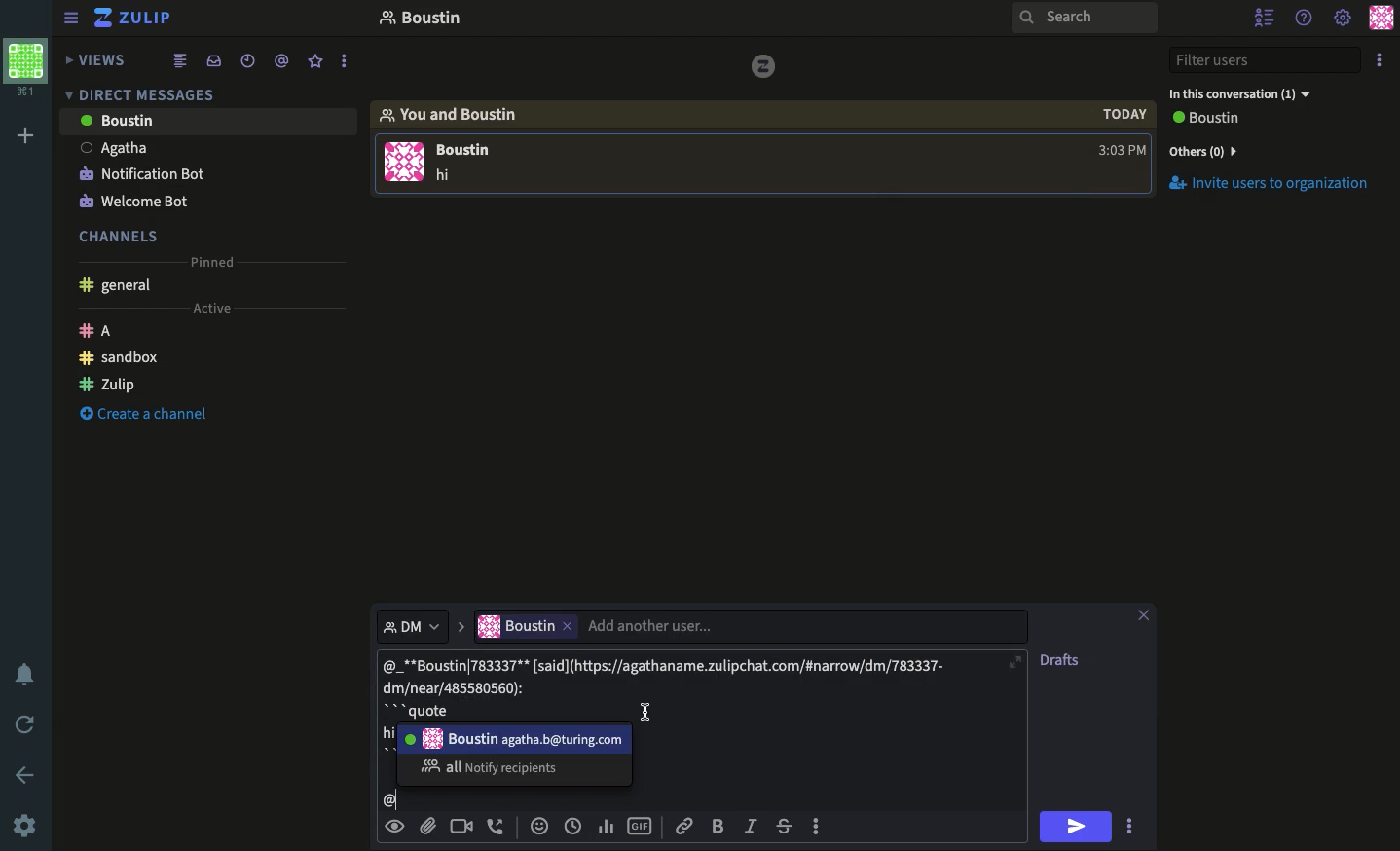  Describe the element at coordinates (471, 152) in the screenshot. I see `USER` at that location.